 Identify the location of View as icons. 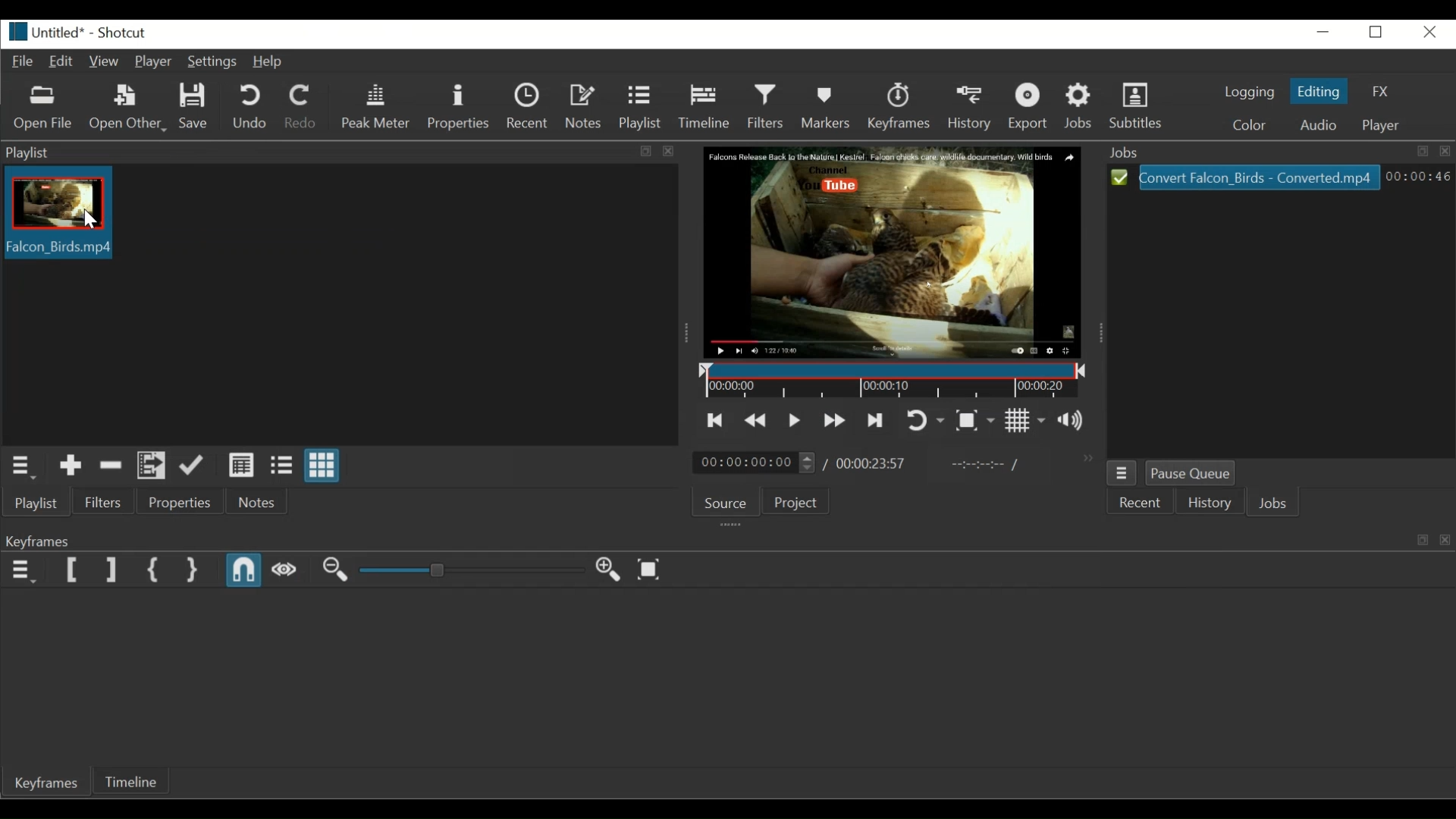
(321, 467).